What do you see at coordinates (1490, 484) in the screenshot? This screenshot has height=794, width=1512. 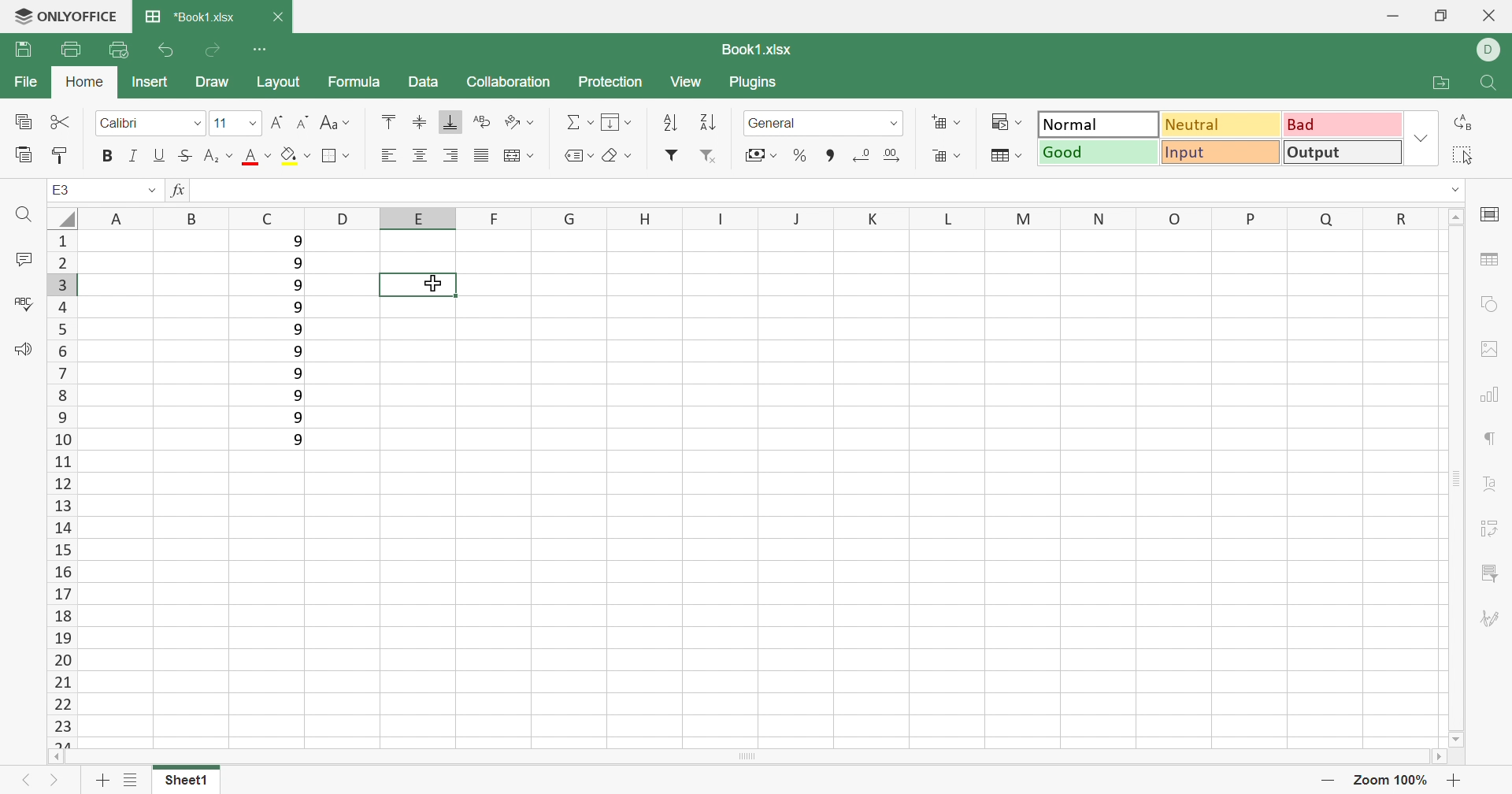 I see `Text Art settings` at bounding box center [1490, 484].